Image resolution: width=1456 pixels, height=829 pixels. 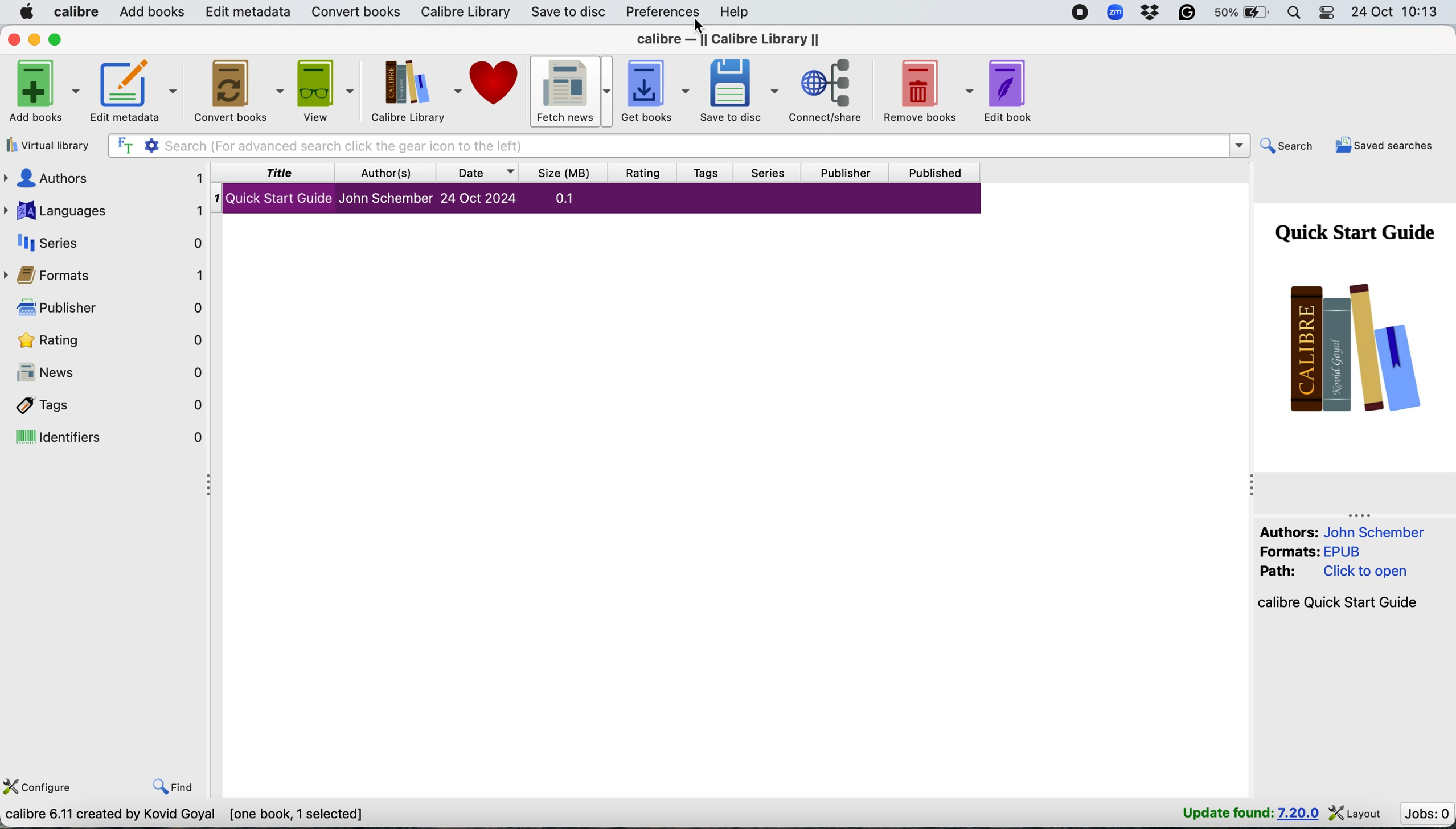 I want to click on calibre 6.11 created by kovid goyal [one book , 1 selected], so click(x=190, y=814).